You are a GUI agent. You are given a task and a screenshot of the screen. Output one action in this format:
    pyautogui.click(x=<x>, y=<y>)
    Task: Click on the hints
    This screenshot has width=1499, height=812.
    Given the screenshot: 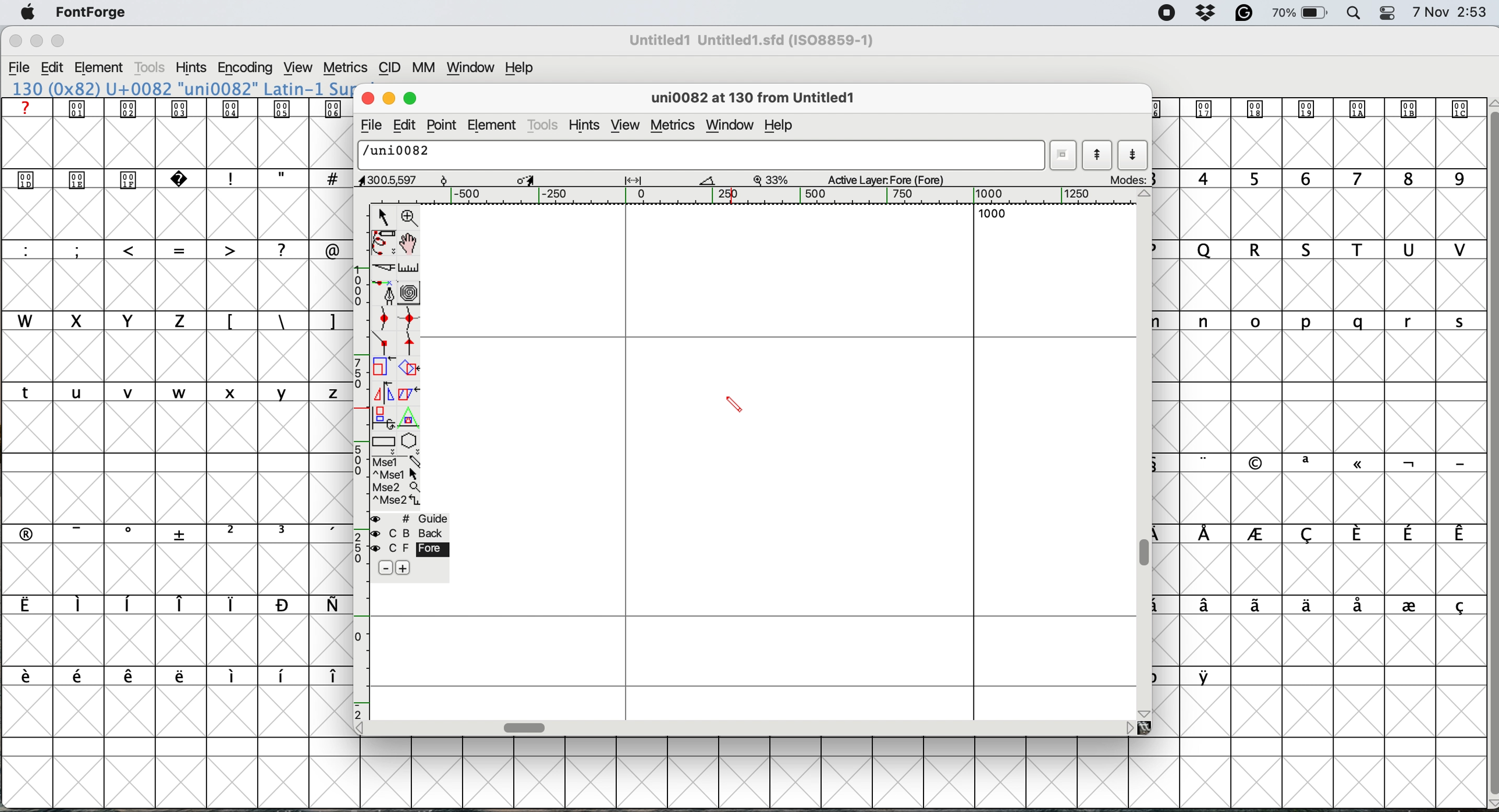 What is the action you would take?
    pyautogui.click(x=192, y=69)
    